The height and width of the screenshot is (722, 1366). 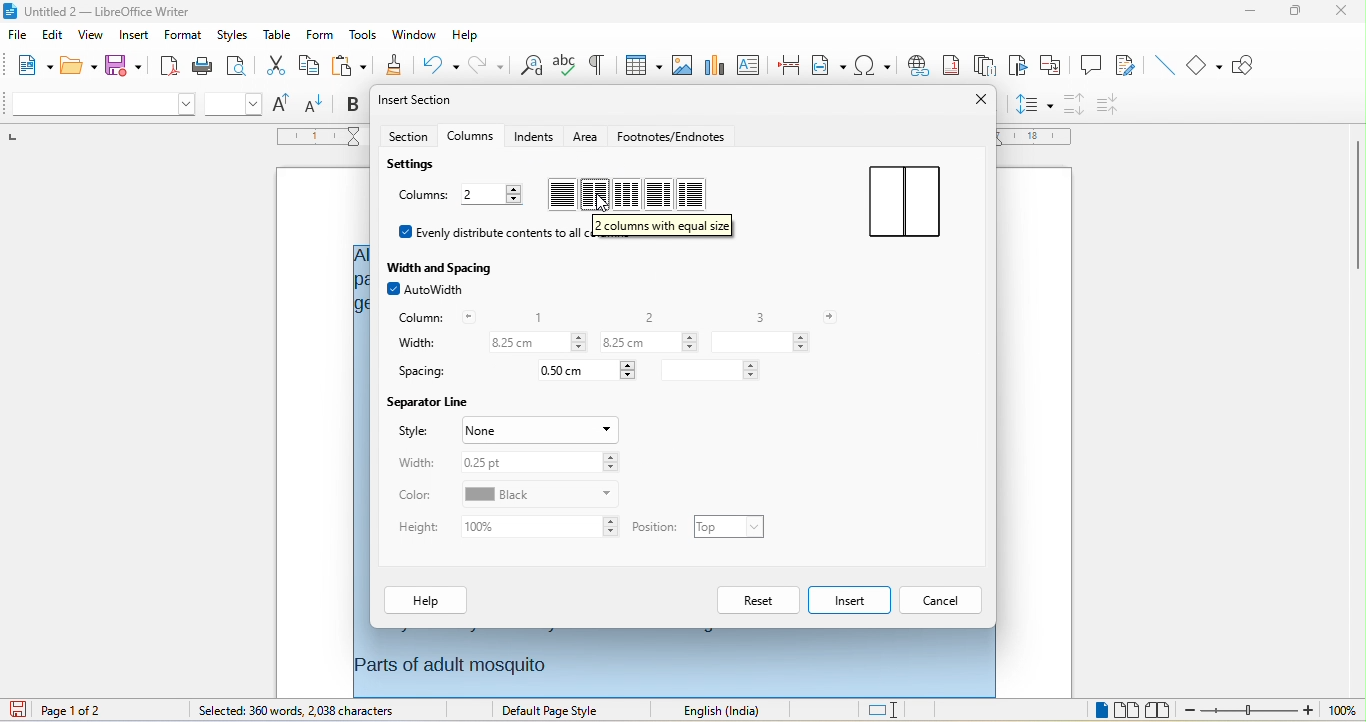 What do you see at coordinates (1126, 710) in the screenshot?
I see `multiple page view` at bounding box center [1126, 710].